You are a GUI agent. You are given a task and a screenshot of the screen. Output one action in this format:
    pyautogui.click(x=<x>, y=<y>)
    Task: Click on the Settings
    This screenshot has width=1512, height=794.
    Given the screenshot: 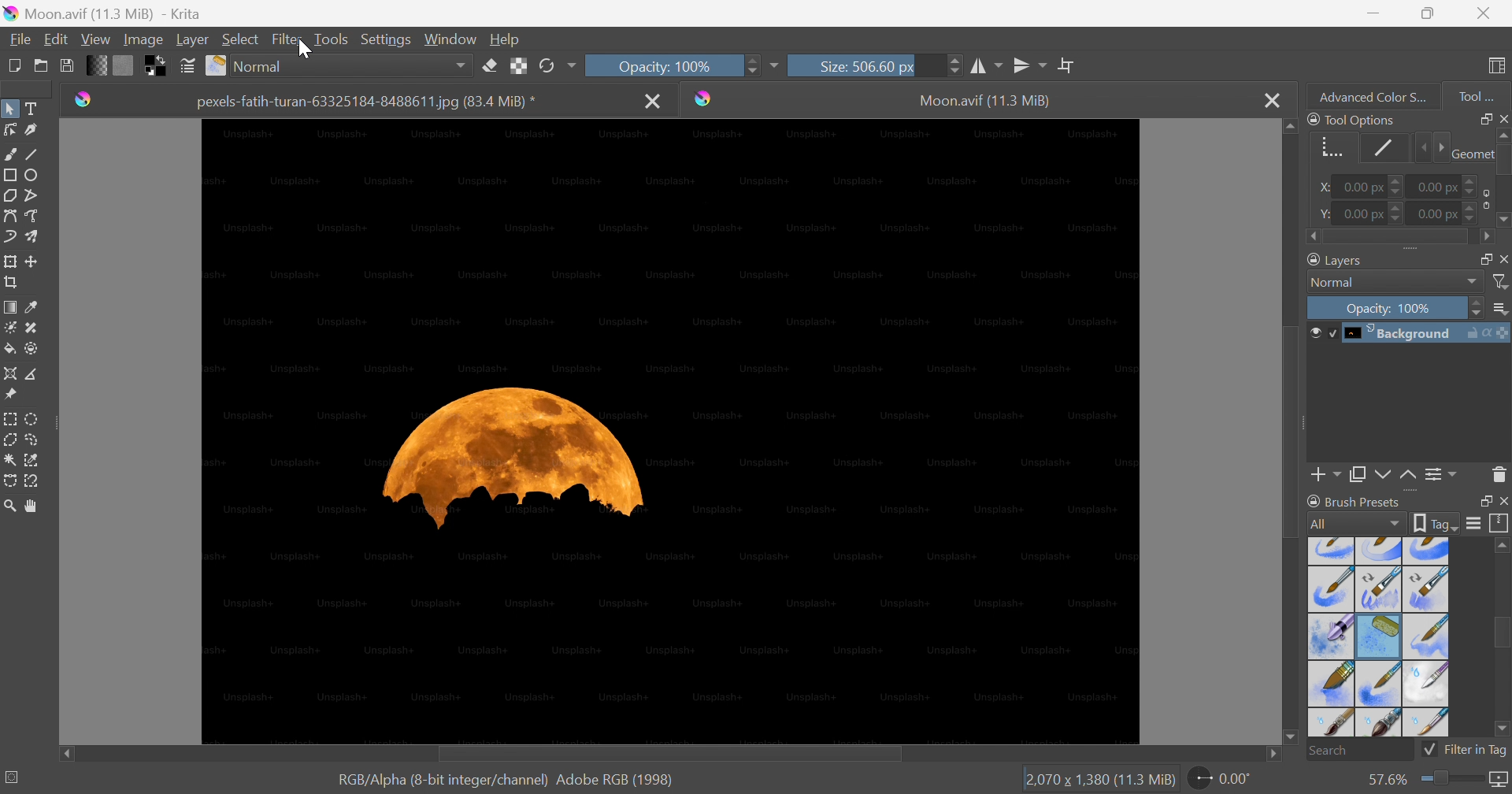 What is the action you would take?
    pyautogui.click(x=386, y=41)
    